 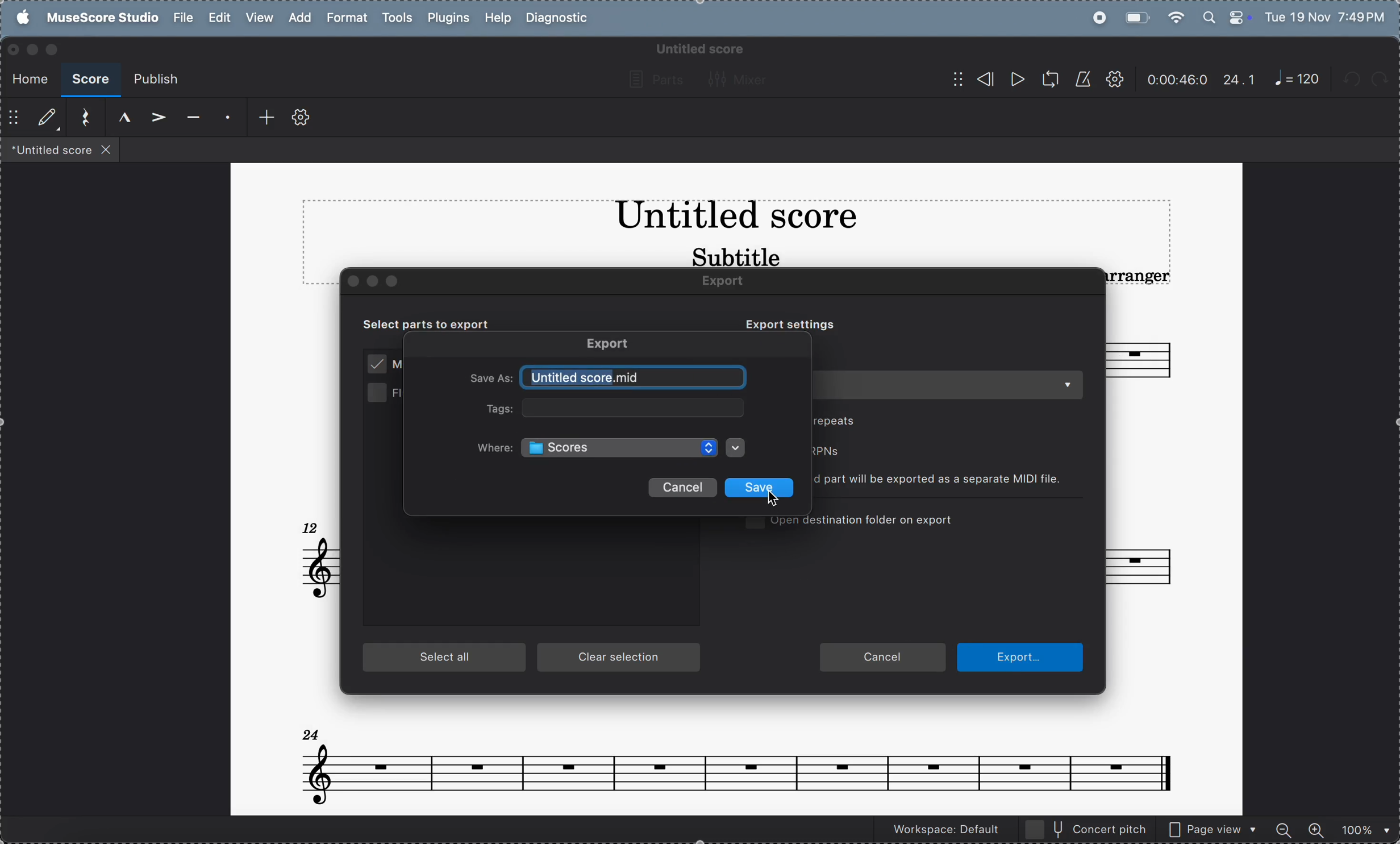 What do you see at coordinates (560, 19) in the screenshot?
I see `diagnostic` at bounding box center [560, 19].